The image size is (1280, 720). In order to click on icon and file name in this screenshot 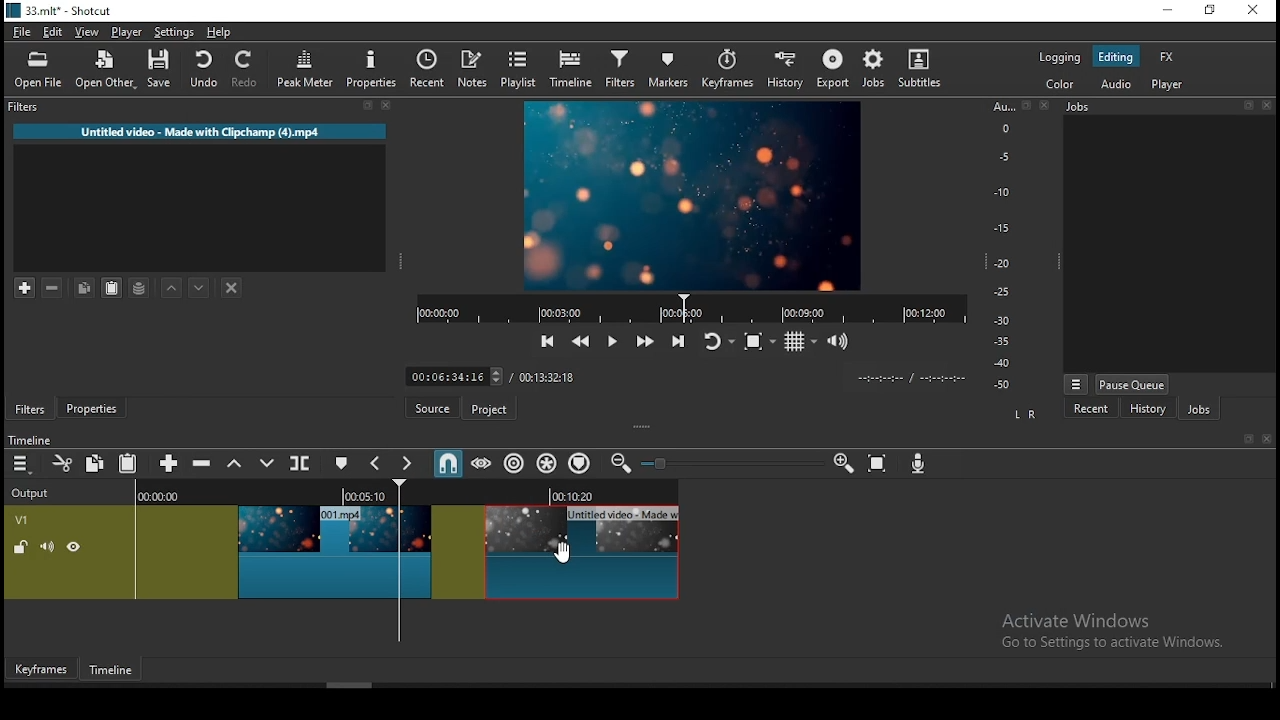, I will do `click(62, 13)`.